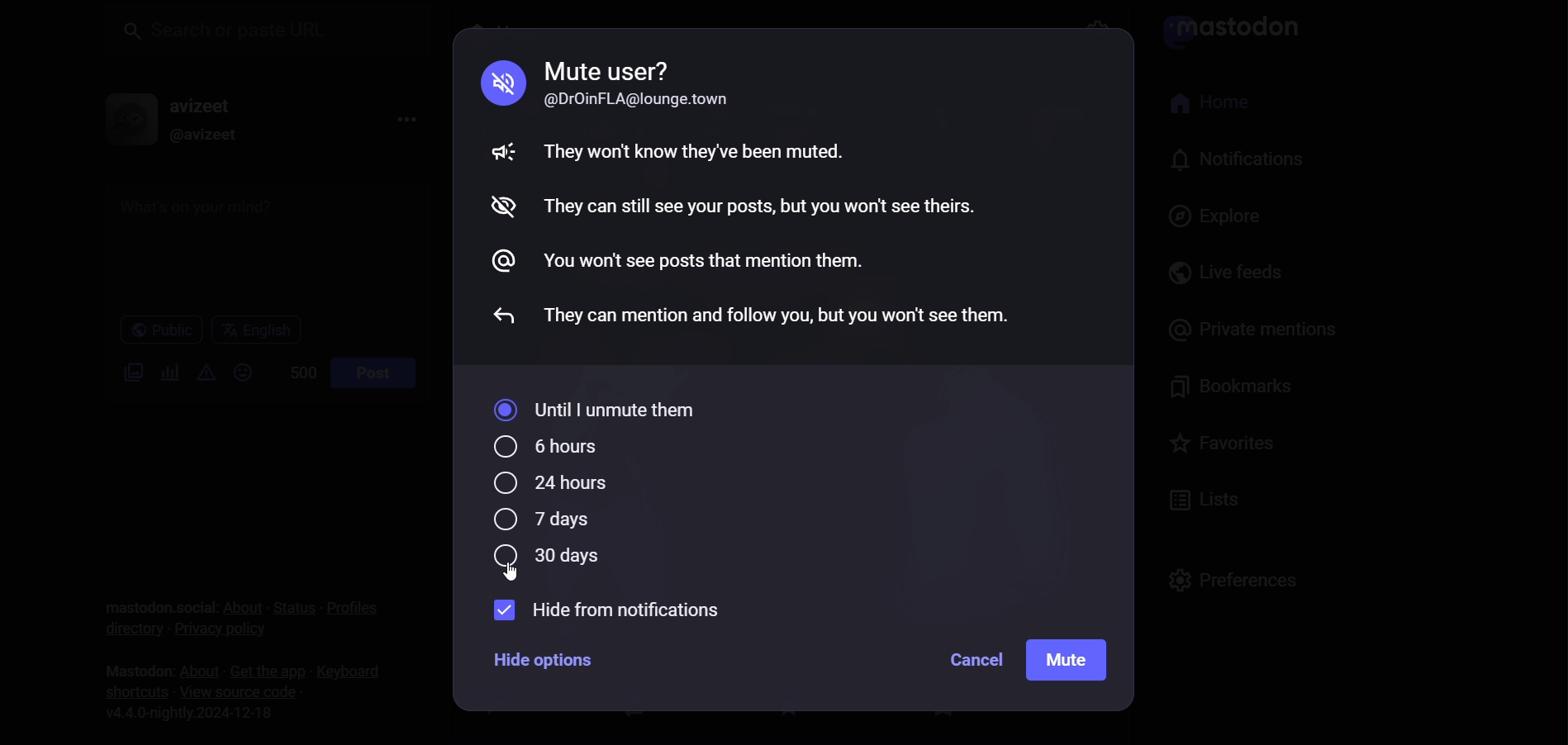 The image size is (1568, 745). What do you see at coordinates (974, 660) in the screenshot?
I see `cancel` at bounding box center [974, 660].